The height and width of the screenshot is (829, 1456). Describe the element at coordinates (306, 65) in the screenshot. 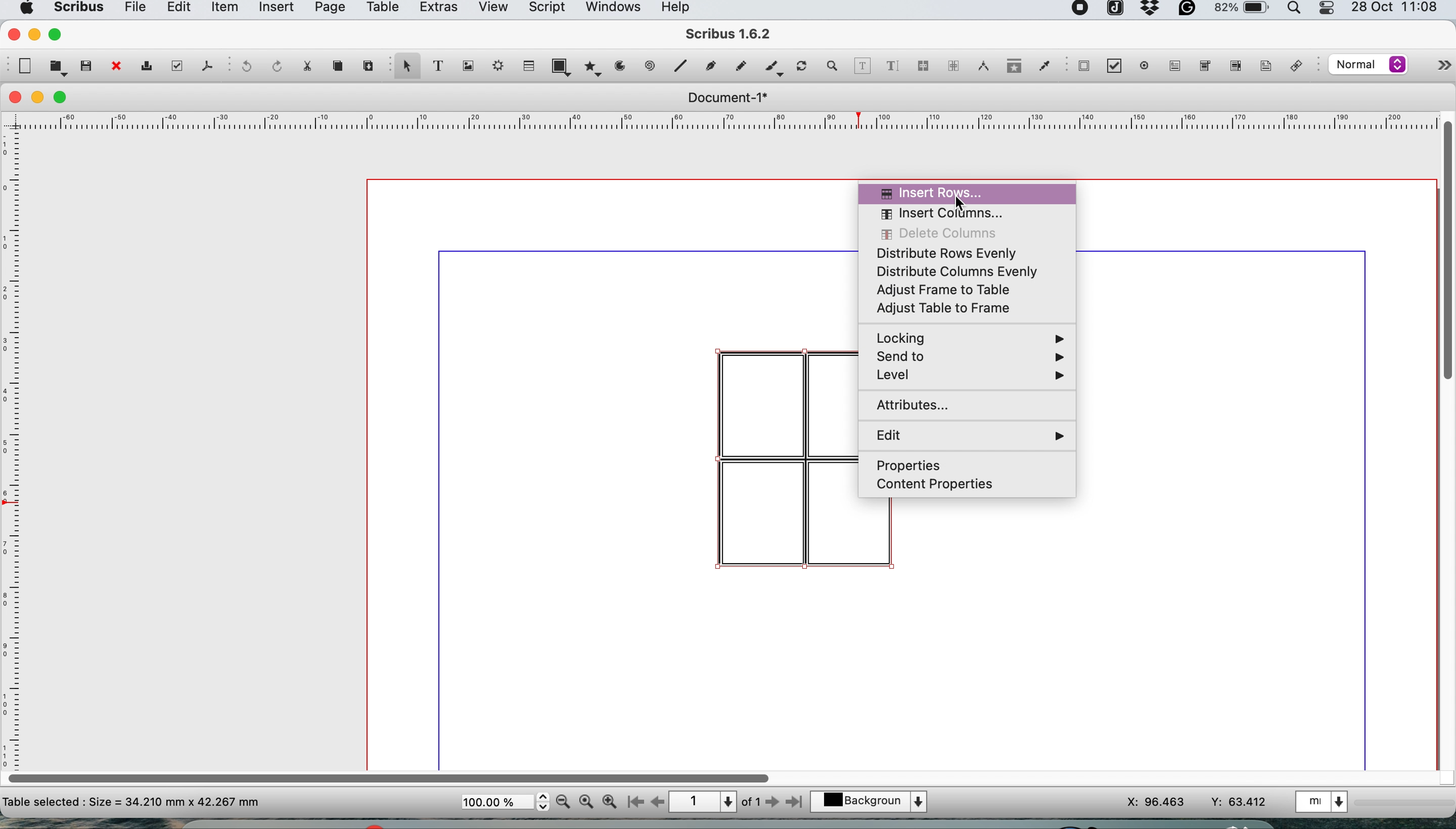

I see `cut` at that location.